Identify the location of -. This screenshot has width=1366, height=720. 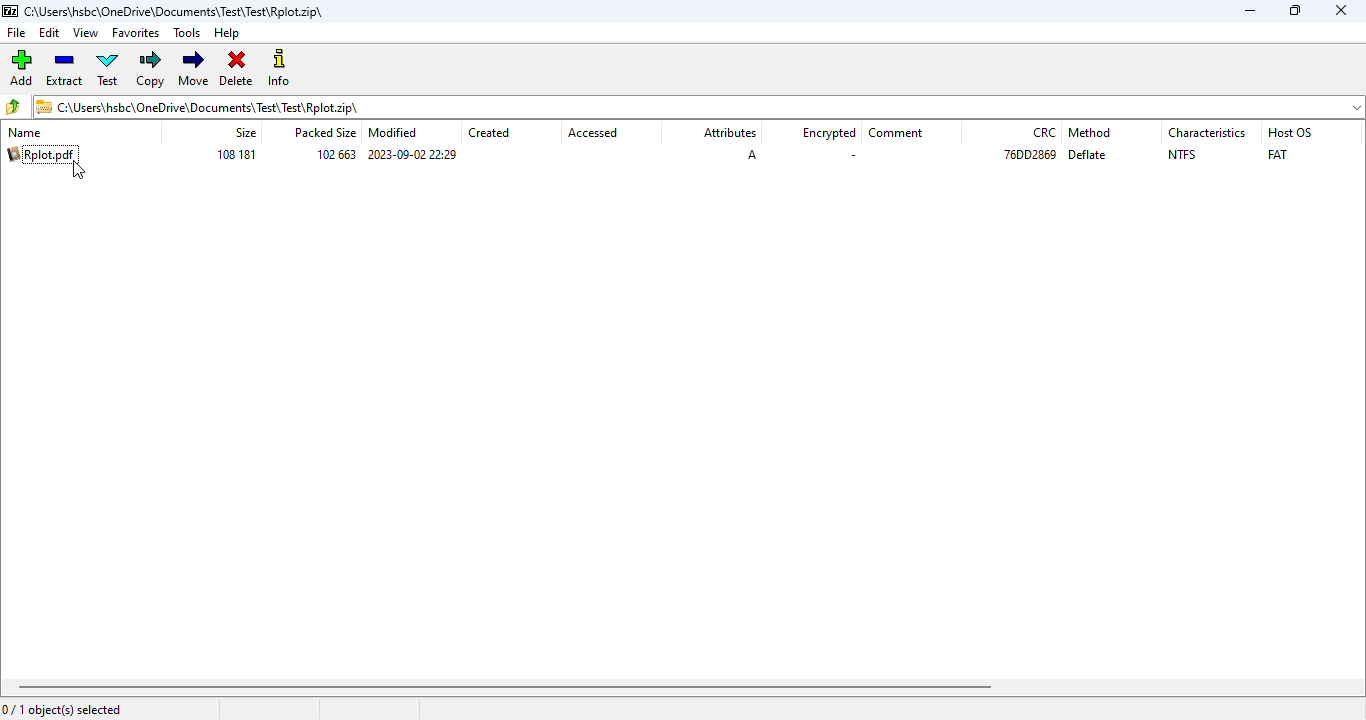
(853, 155).